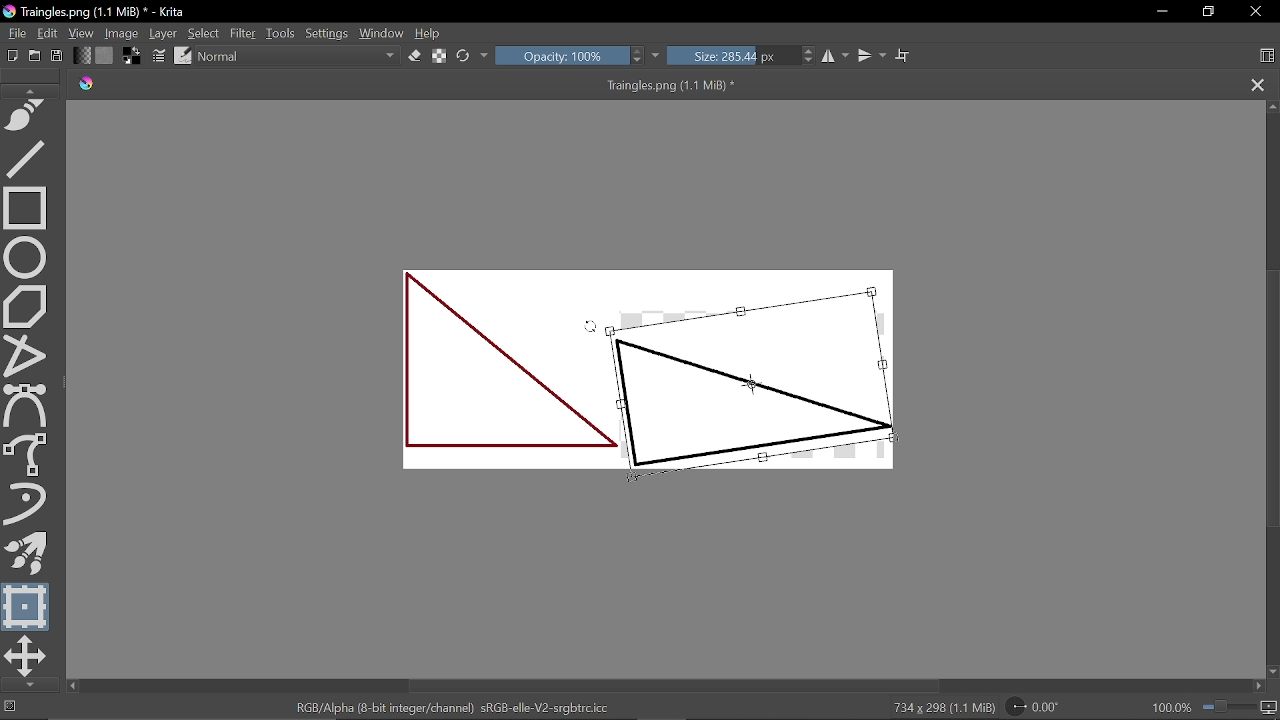 The width and height of the screenshot is (1280, 720). What do you see at coordinates (750, 383) in the screenshot?
I see `Selected part of the image` at bounding box center [750, 383].